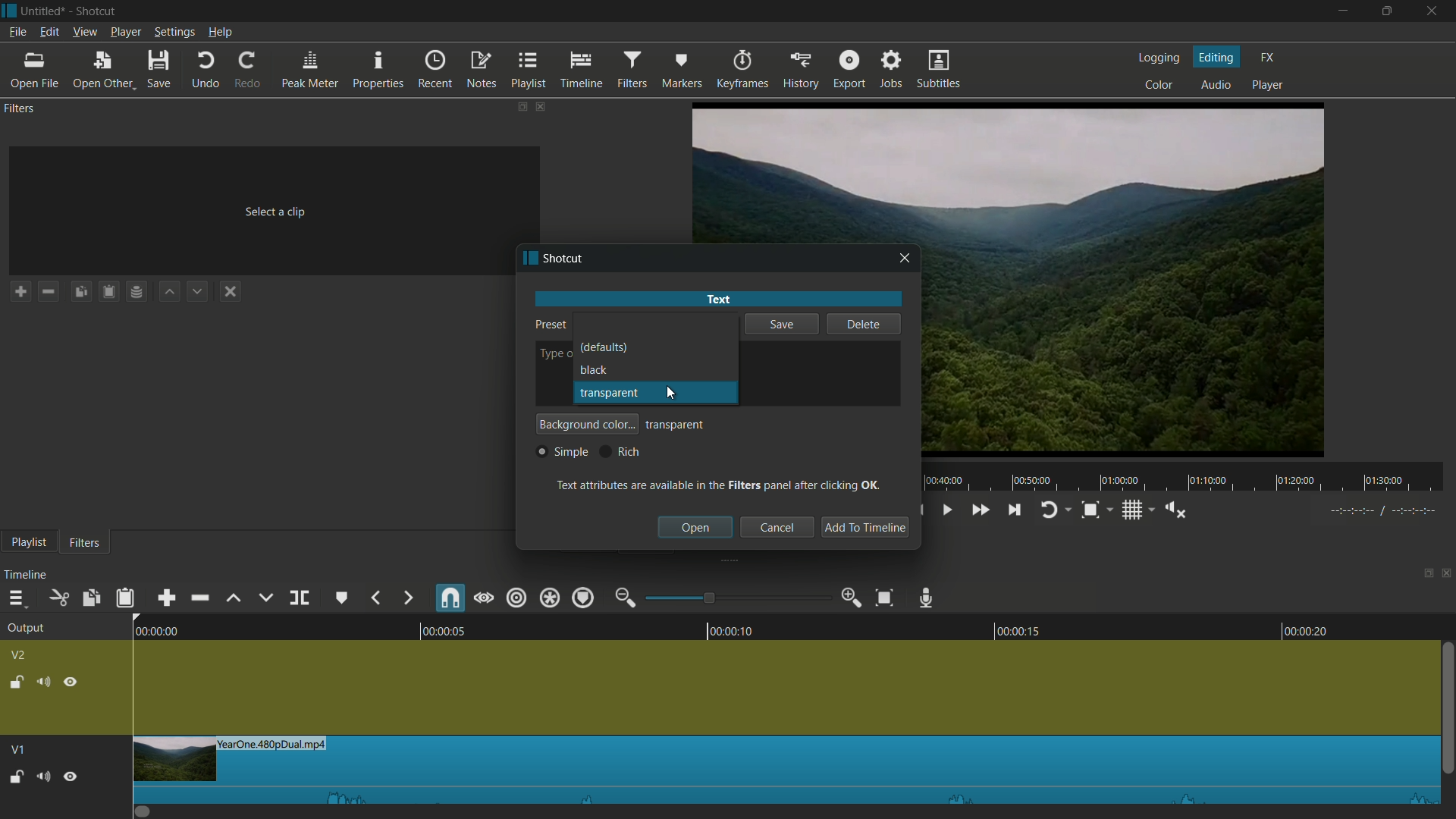 The image size is (1456, 819). I want to click on deselect the filter, so click(231, 291).